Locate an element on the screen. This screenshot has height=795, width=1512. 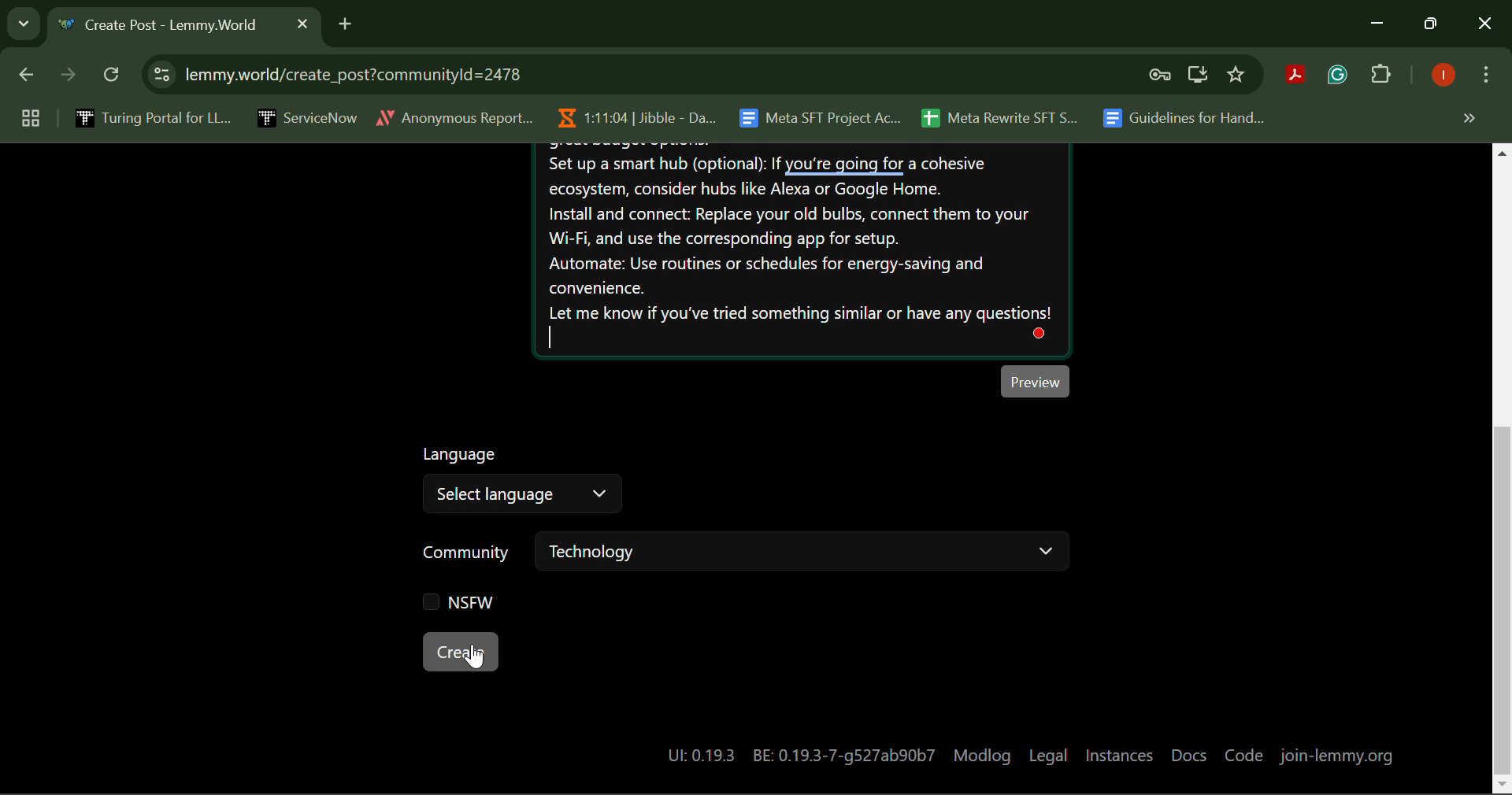
Jibble is located at coordinates (633, 114).